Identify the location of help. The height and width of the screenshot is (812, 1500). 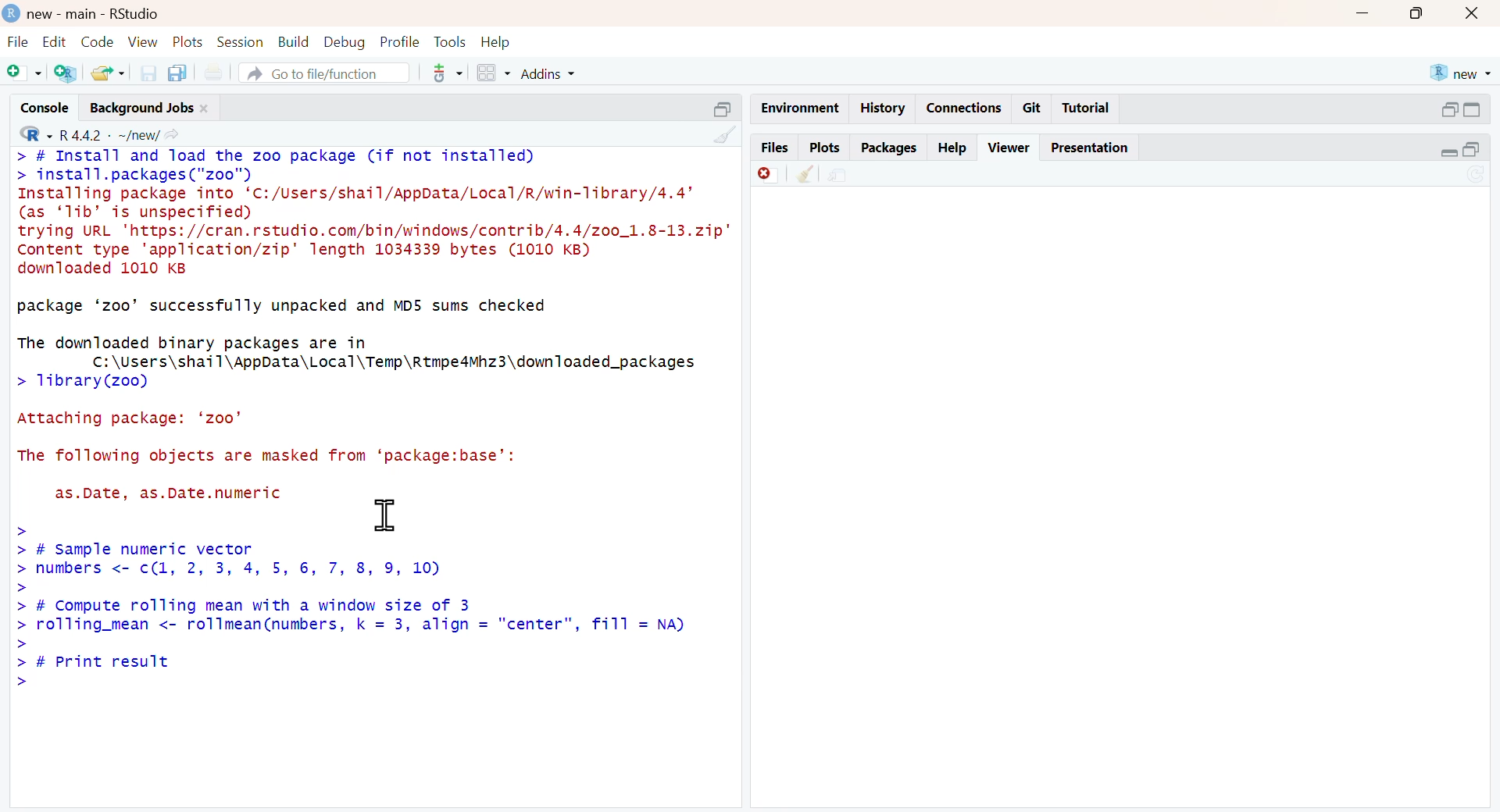
(495, 42).